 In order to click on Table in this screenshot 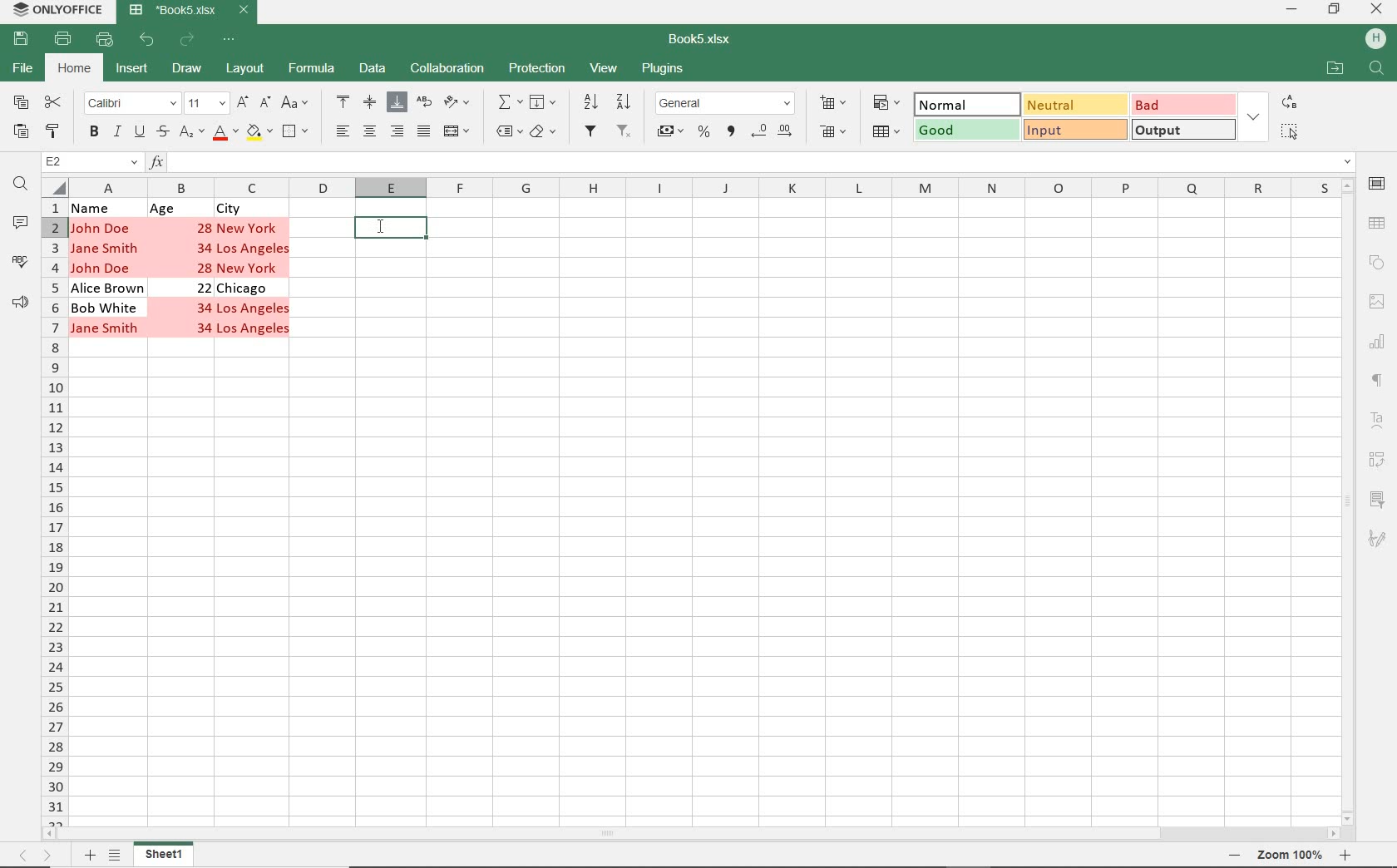, I will do `click(1378, 222)`.